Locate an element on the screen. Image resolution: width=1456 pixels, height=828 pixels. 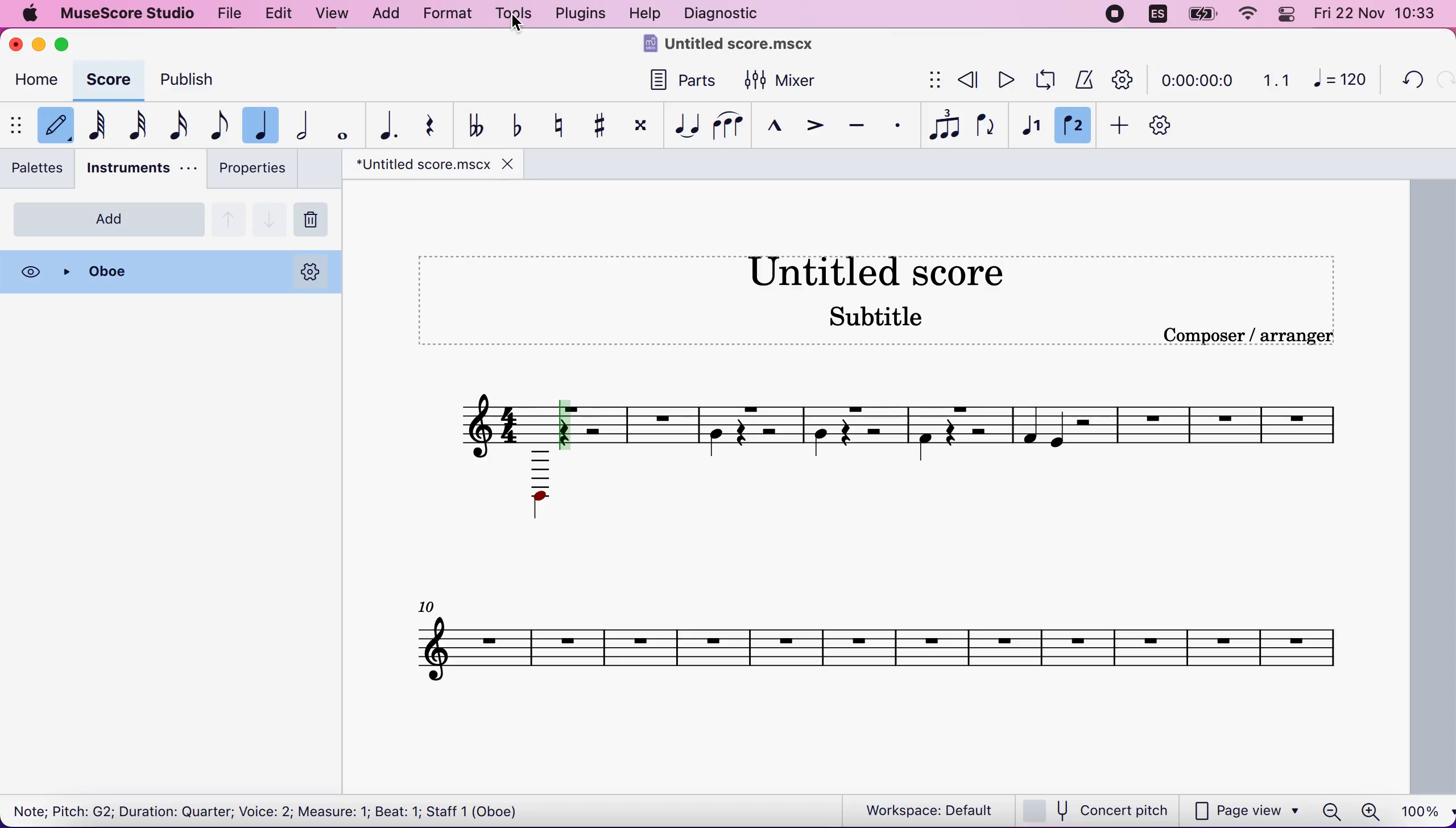
show/hide is located at coordinates (933, 80).